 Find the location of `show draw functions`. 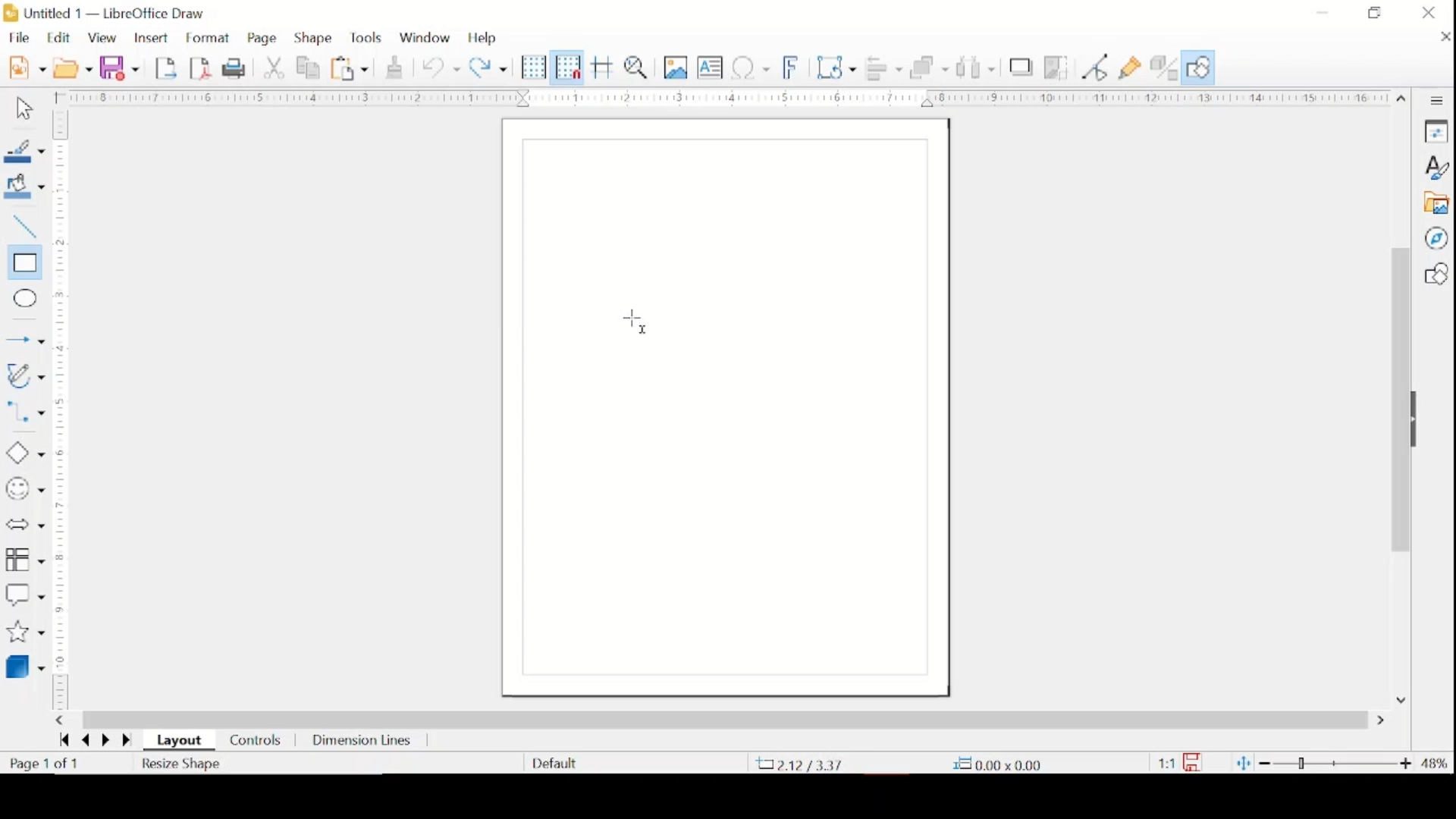

show draw functions is located at coordinates (1198, 67).